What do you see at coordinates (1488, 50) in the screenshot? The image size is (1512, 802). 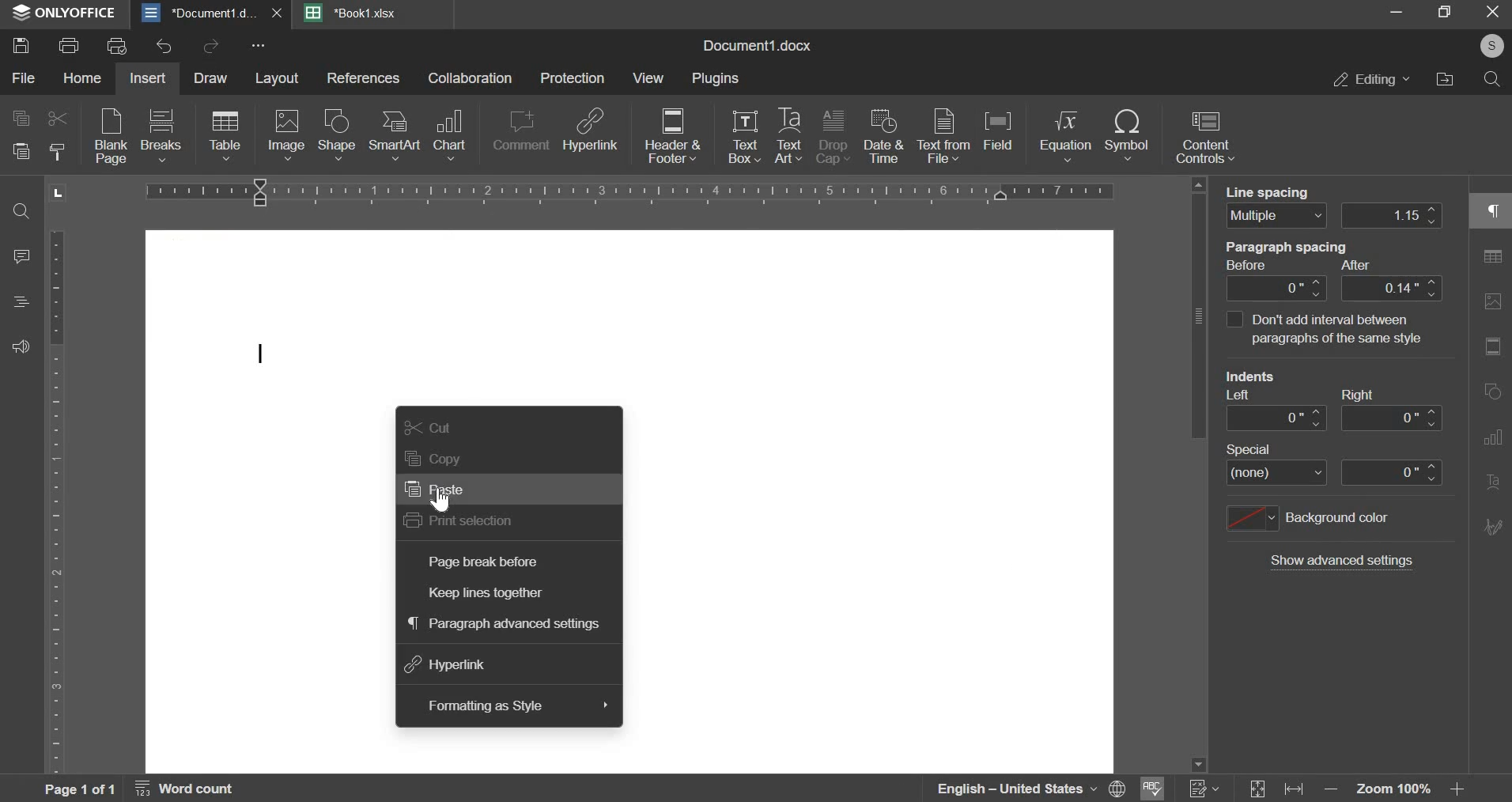 I see `account` at bounding box center [1488, 50].